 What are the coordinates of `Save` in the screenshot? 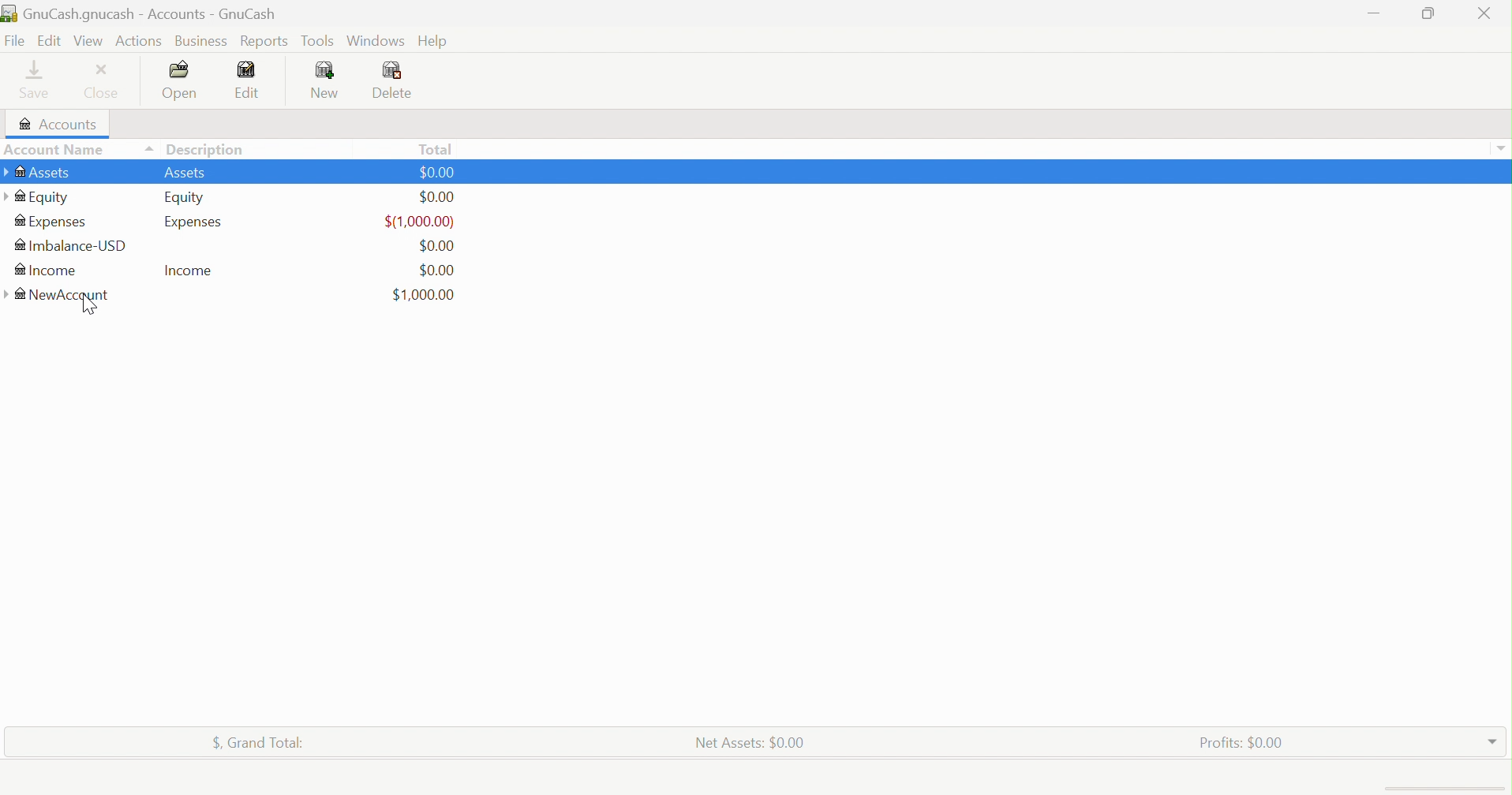 It's located at (32, 79).